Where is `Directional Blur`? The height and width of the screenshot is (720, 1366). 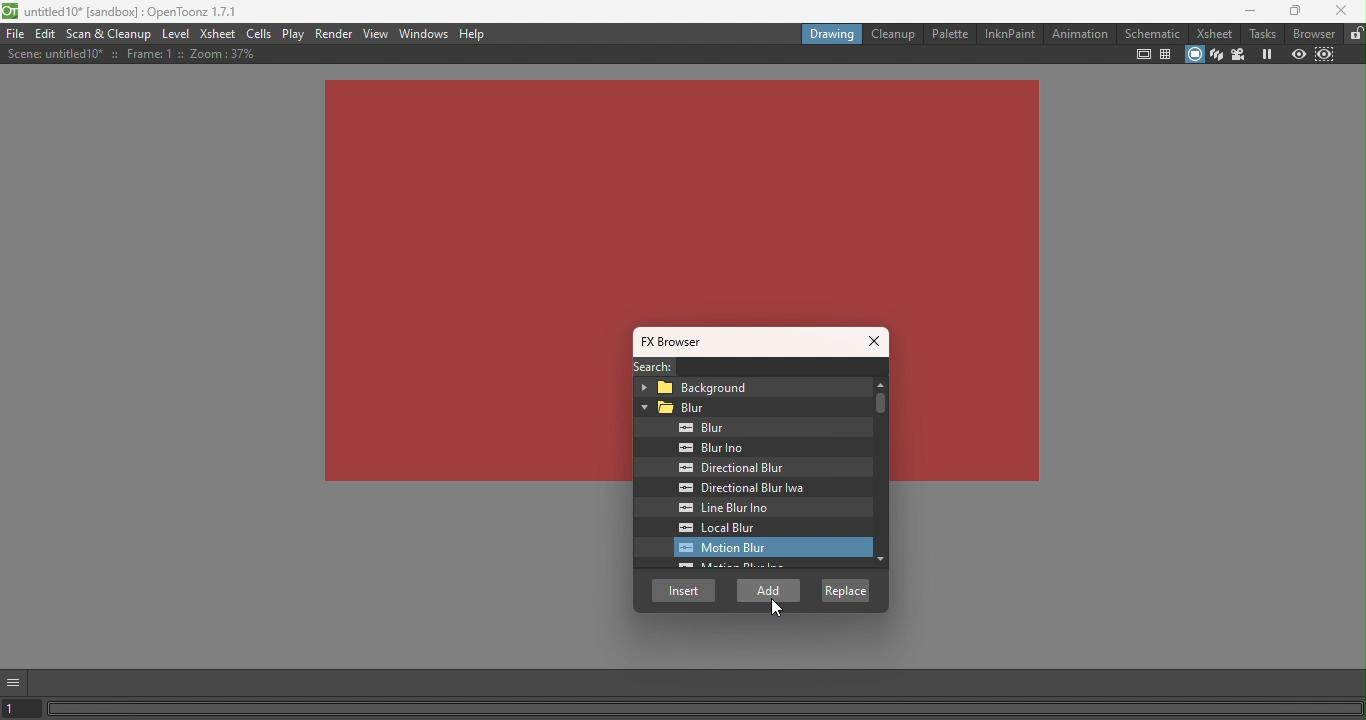
Directional Blur is located at coordinates (730, 468).